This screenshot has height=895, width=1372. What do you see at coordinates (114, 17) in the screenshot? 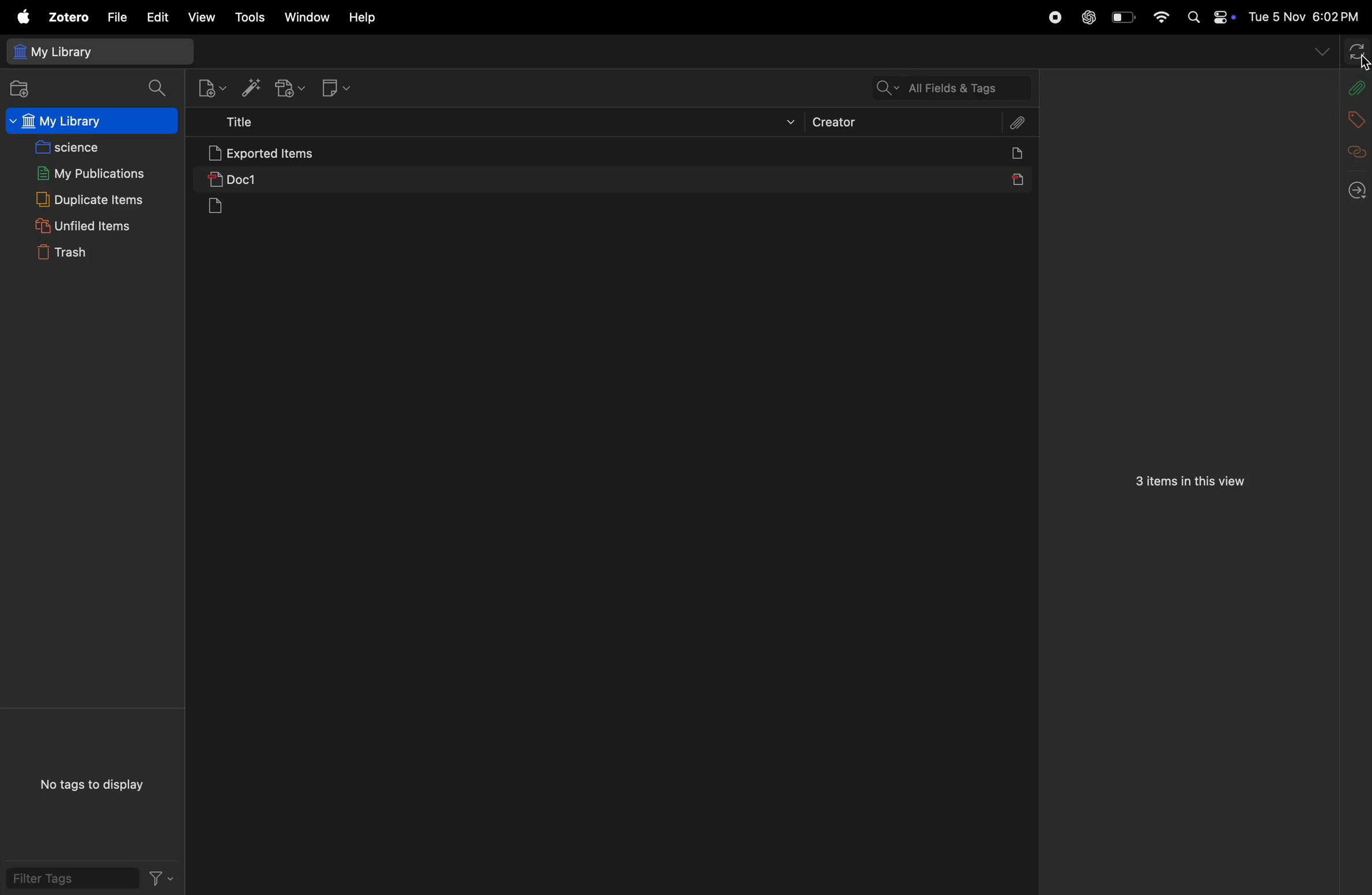
I see `file` at bounding box center [114, 17].